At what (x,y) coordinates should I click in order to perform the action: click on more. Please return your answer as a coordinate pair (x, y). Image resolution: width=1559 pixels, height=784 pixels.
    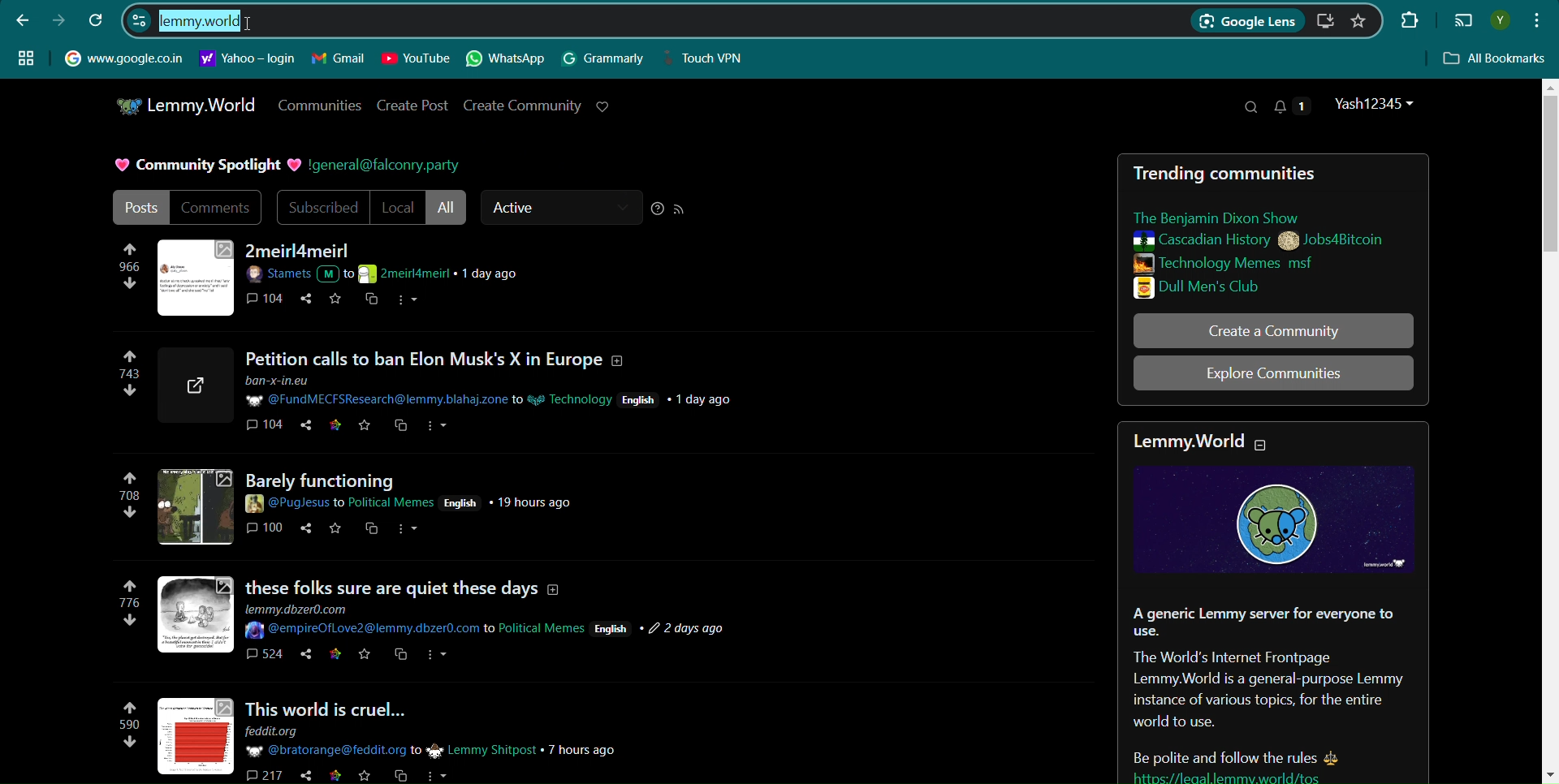
    Looking at the image, I should click on (438, 426).